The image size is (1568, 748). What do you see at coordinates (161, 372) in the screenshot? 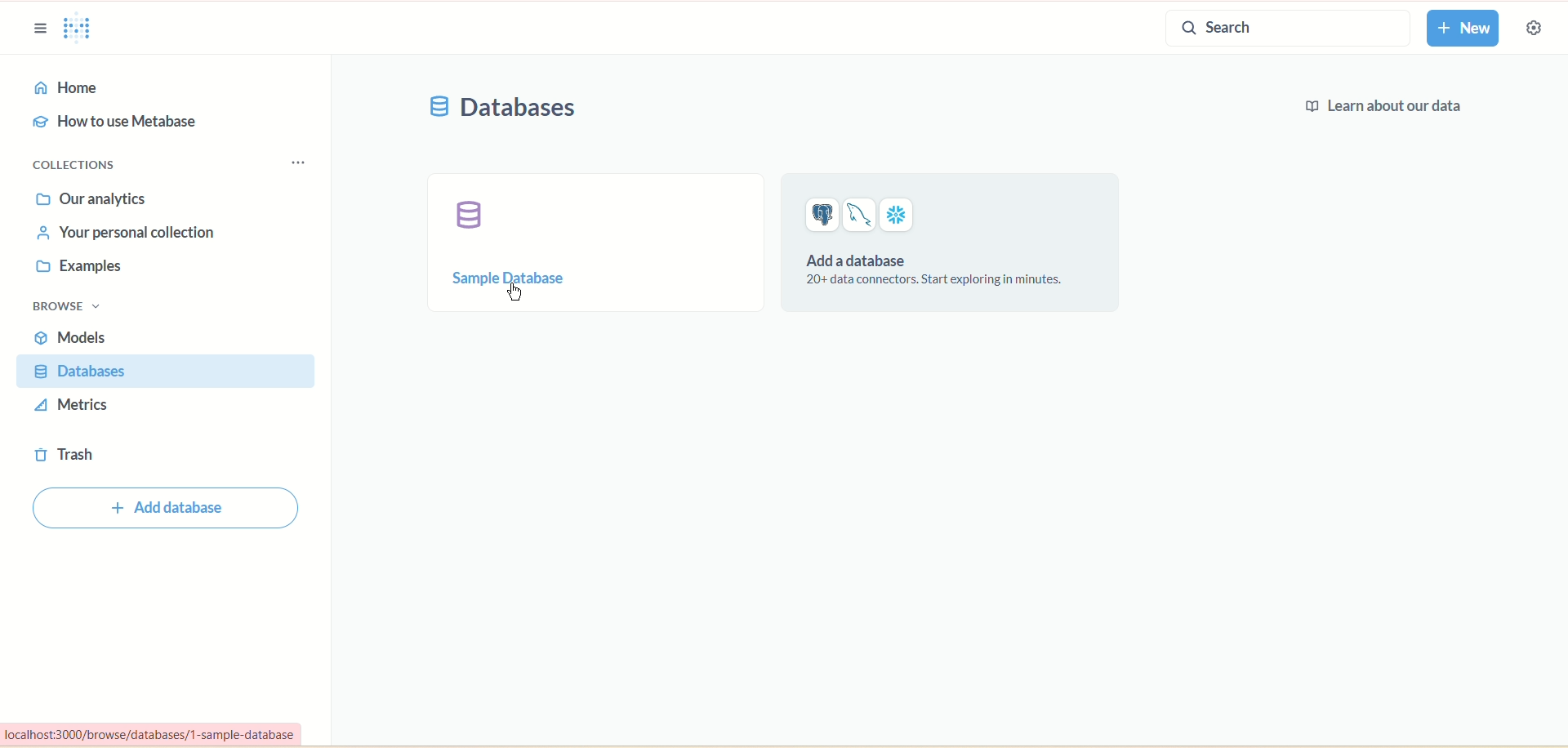
I see `database` at bounding box center [161, 372].